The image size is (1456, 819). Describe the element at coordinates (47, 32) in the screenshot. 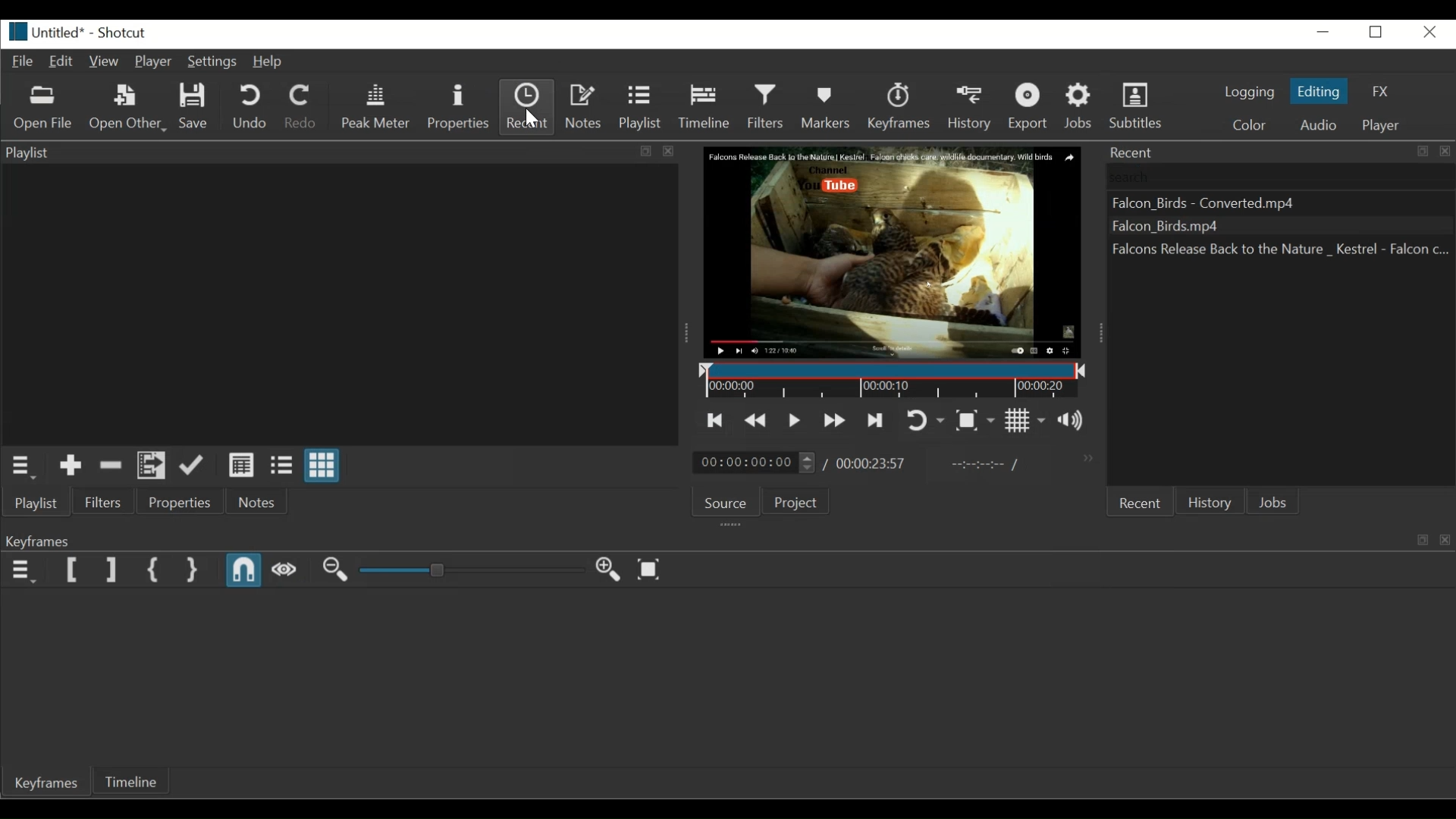

I see `File Name` at that location.